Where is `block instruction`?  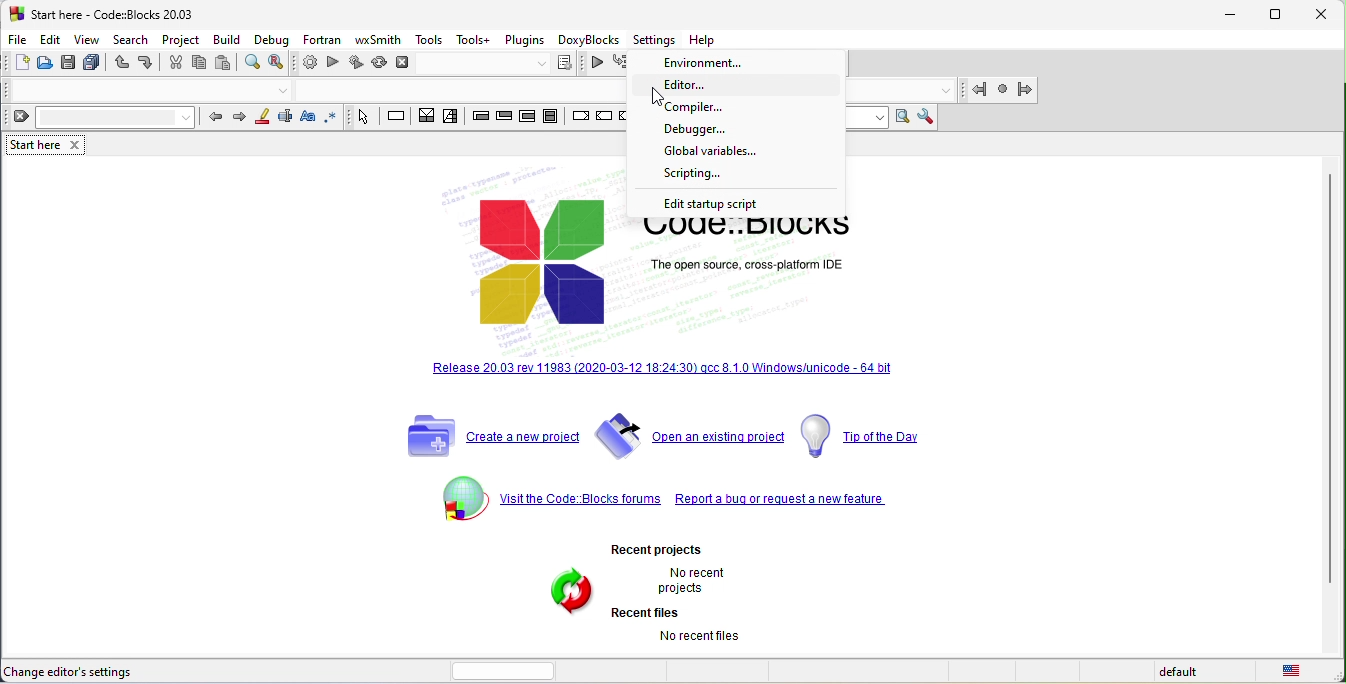 block instruction is located at coordinates (555, 117).